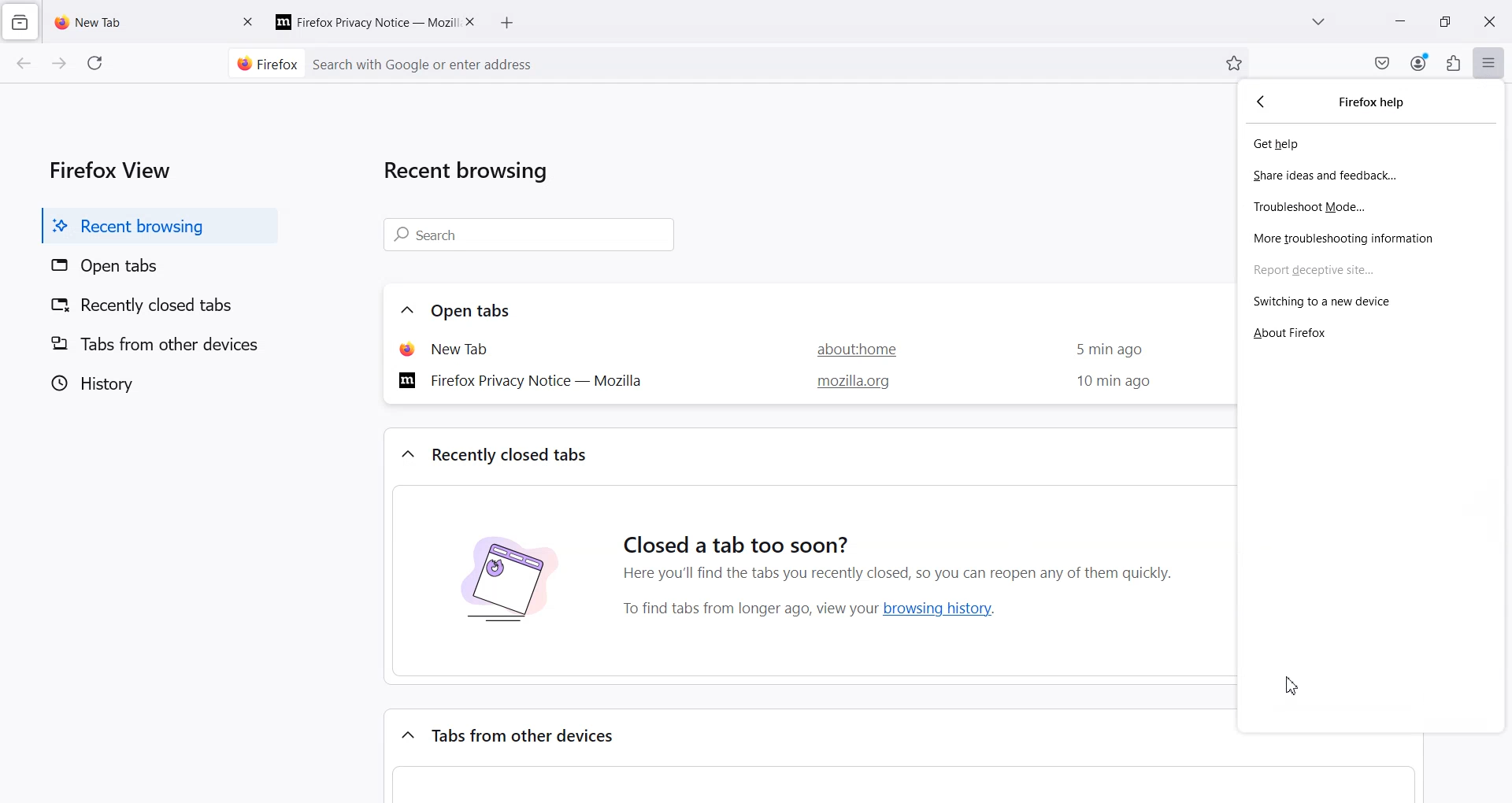 Image resolution: width=1512 pixels, height=803 pixels. I want to click on Minimize, so click(1401, 21).